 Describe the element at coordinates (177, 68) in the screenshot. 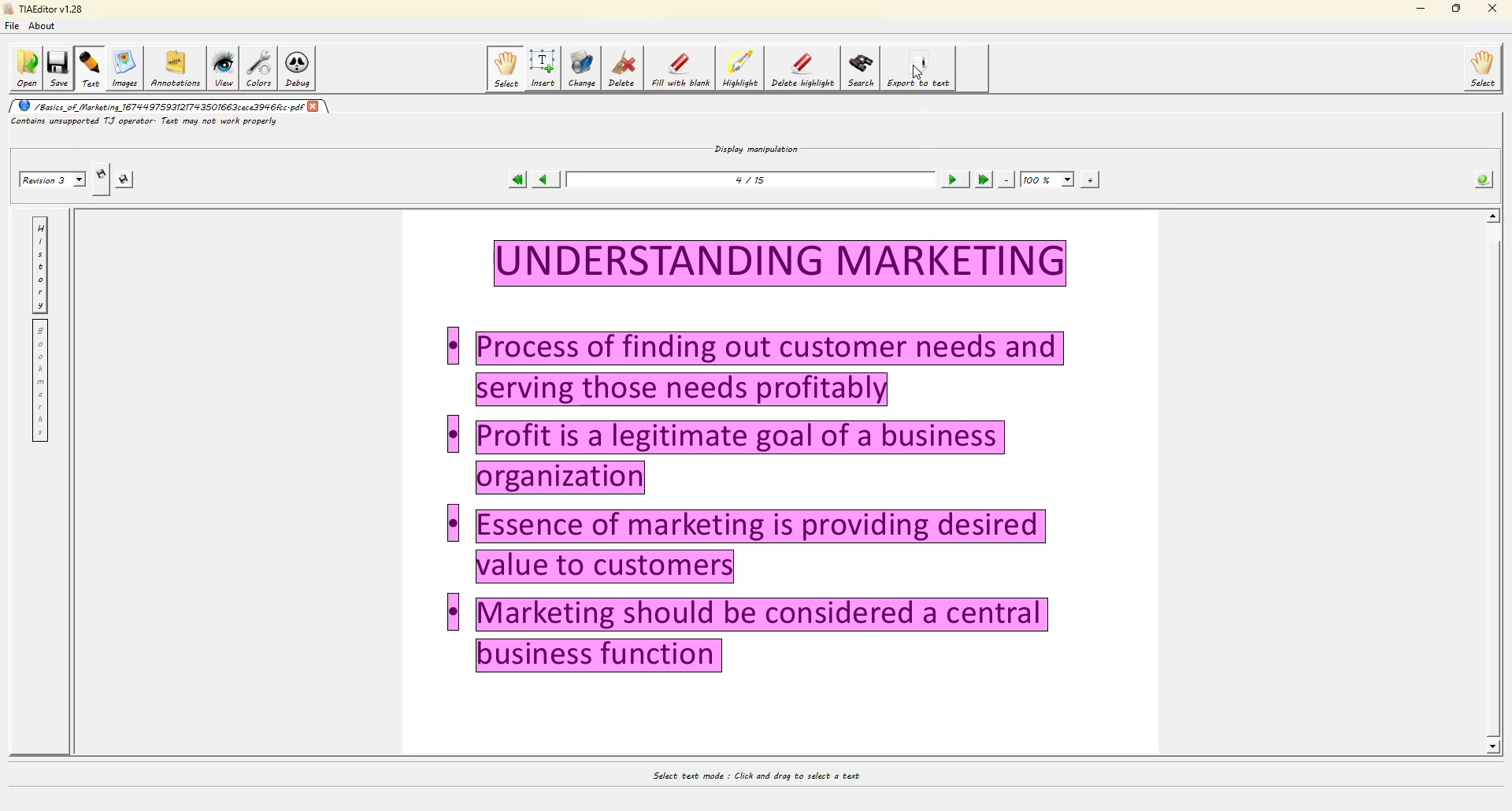

I see `annotations` at that location.